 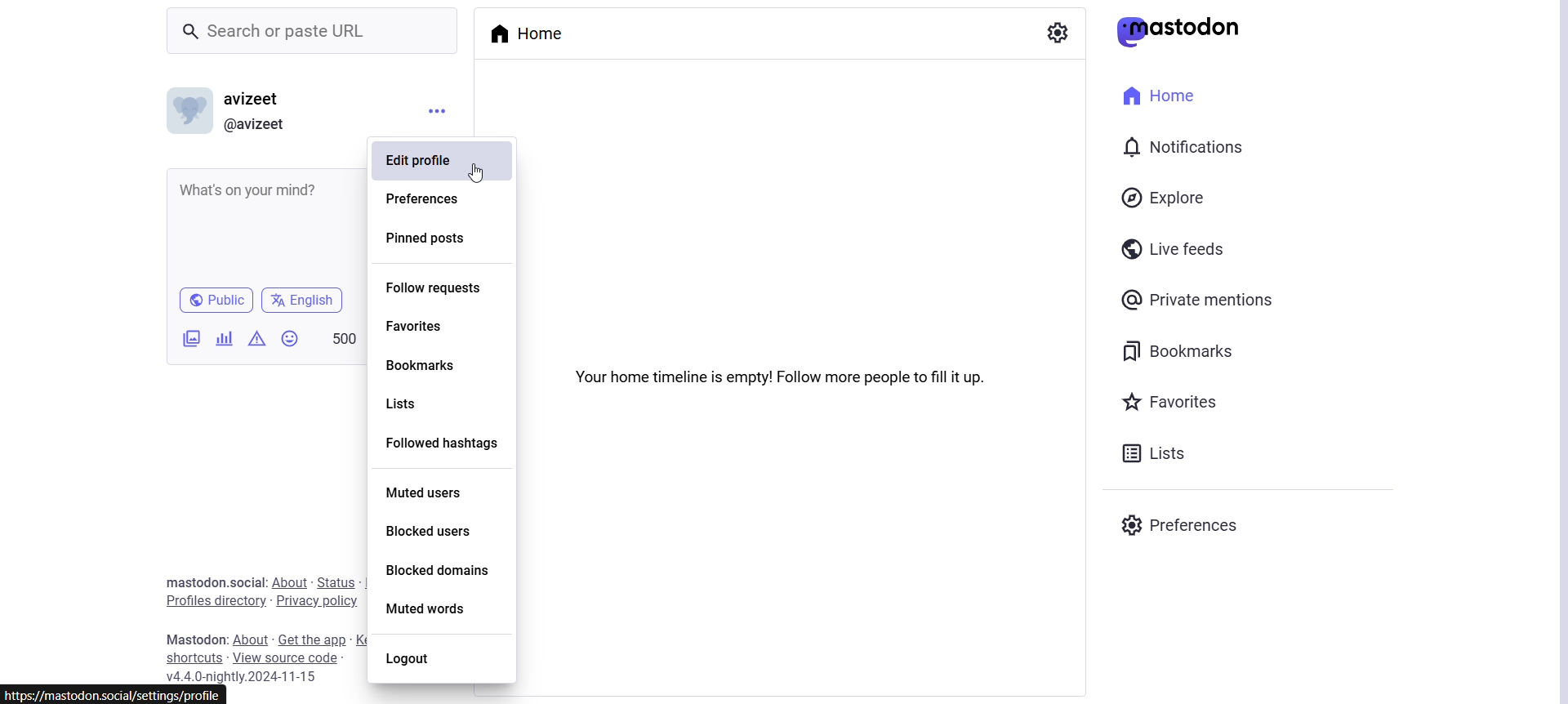 What do you see at coordinates (435, 287) in the screenshot?
I see `Follow requests` at bounding box center [435, 287].